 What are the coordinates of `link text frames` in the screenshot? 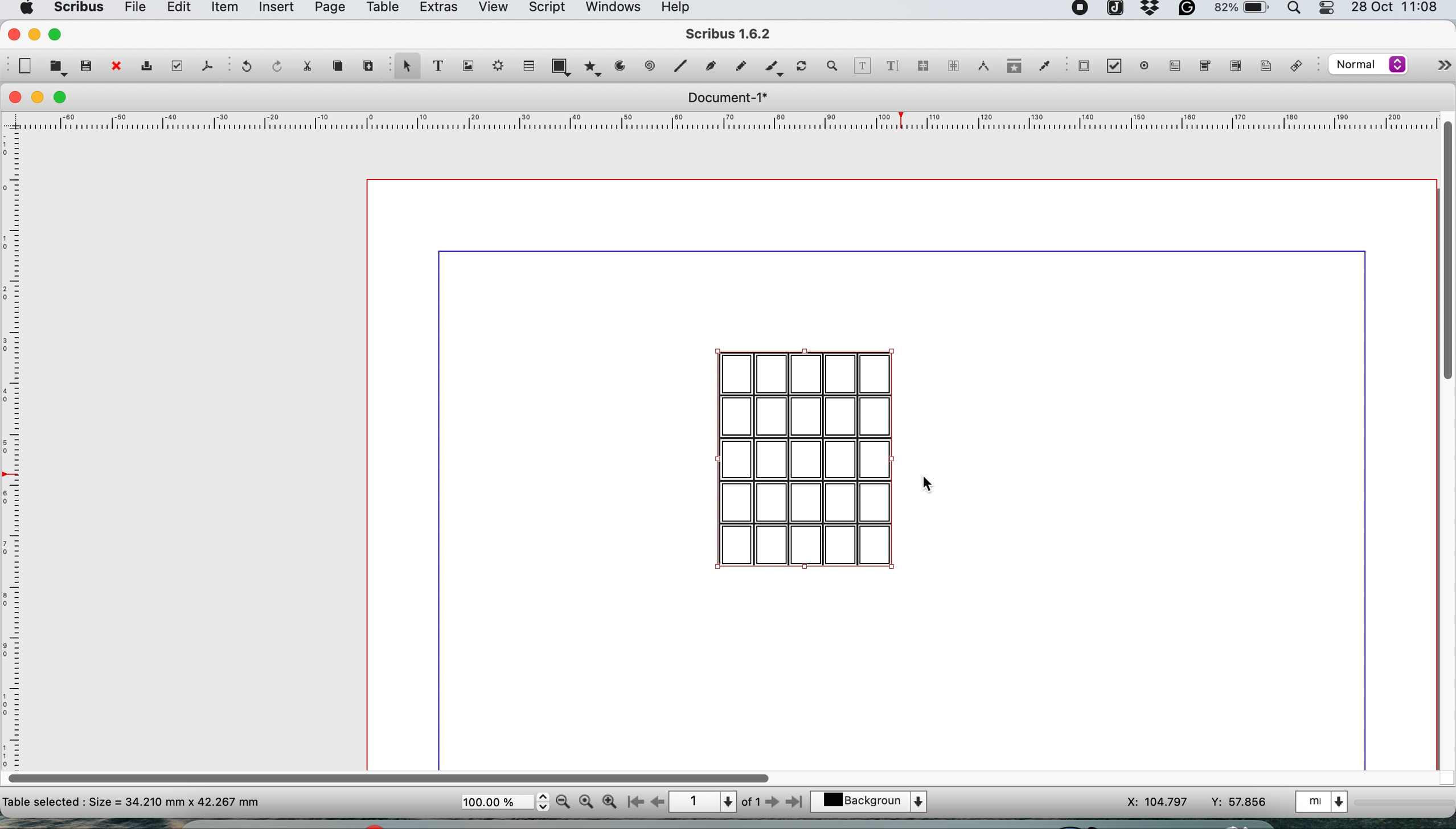 It's located at (922, 68).